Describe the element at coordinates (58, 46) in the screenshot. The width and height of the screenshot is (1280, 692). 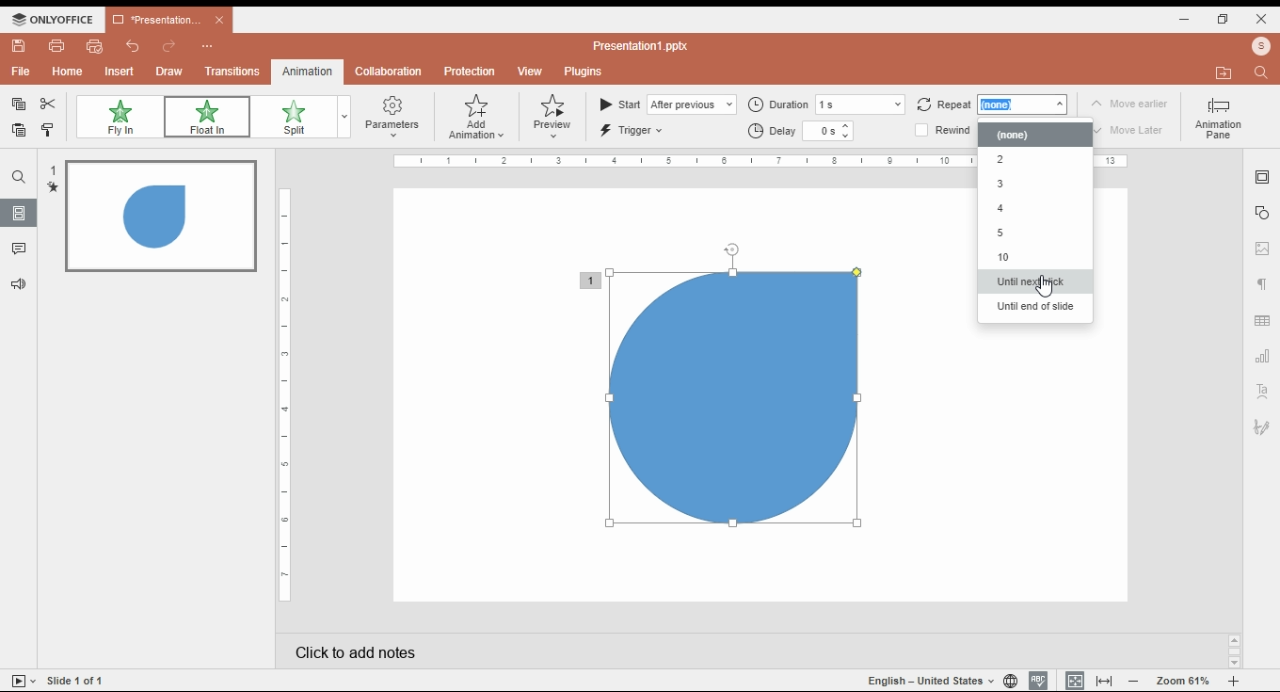
I see `print file` at that location.